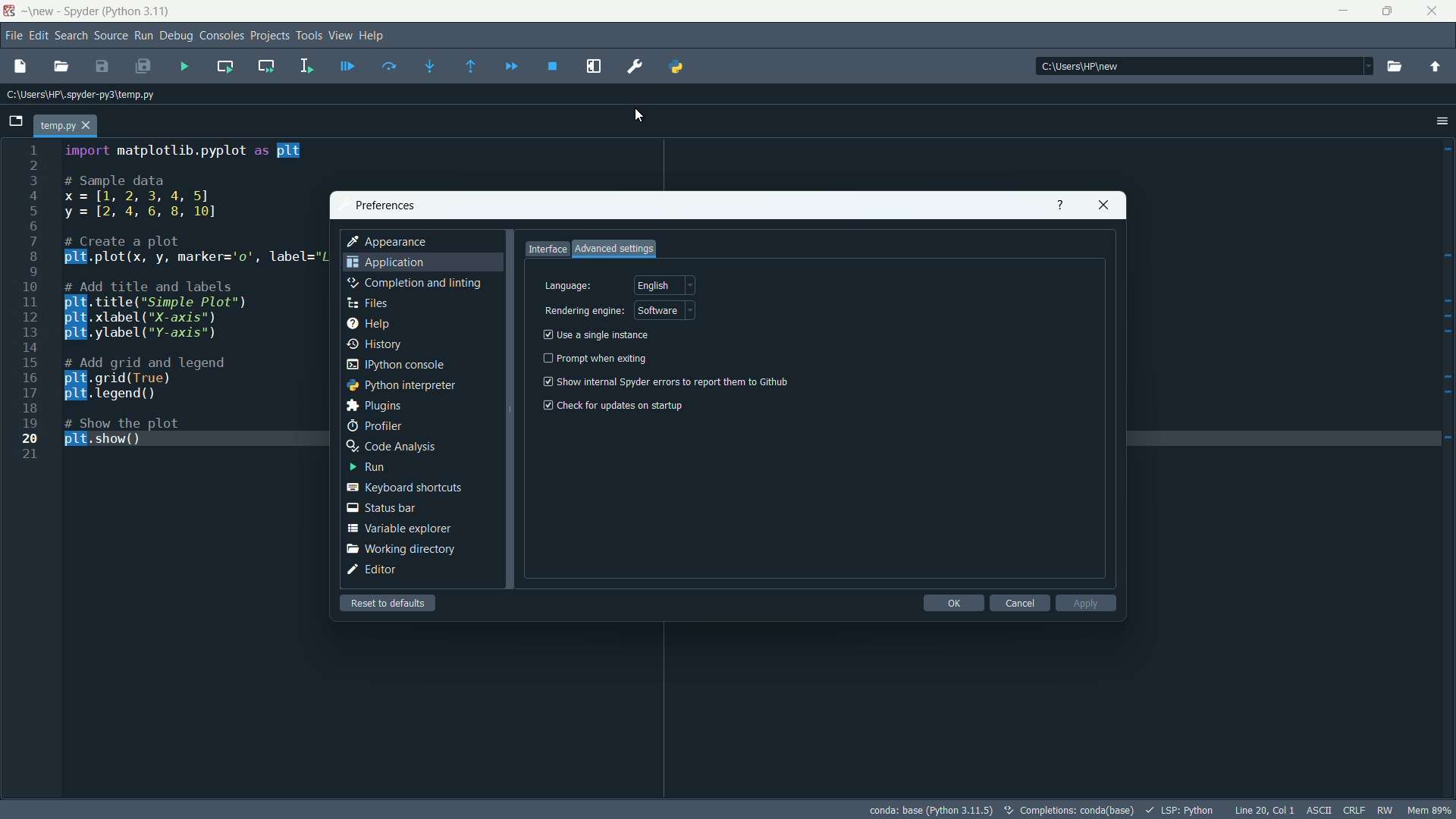 This screenshot has height=819, width=1456. Describe the element at coordinates (1354, 810) in the screenshot. I see `file eol status` at that location.